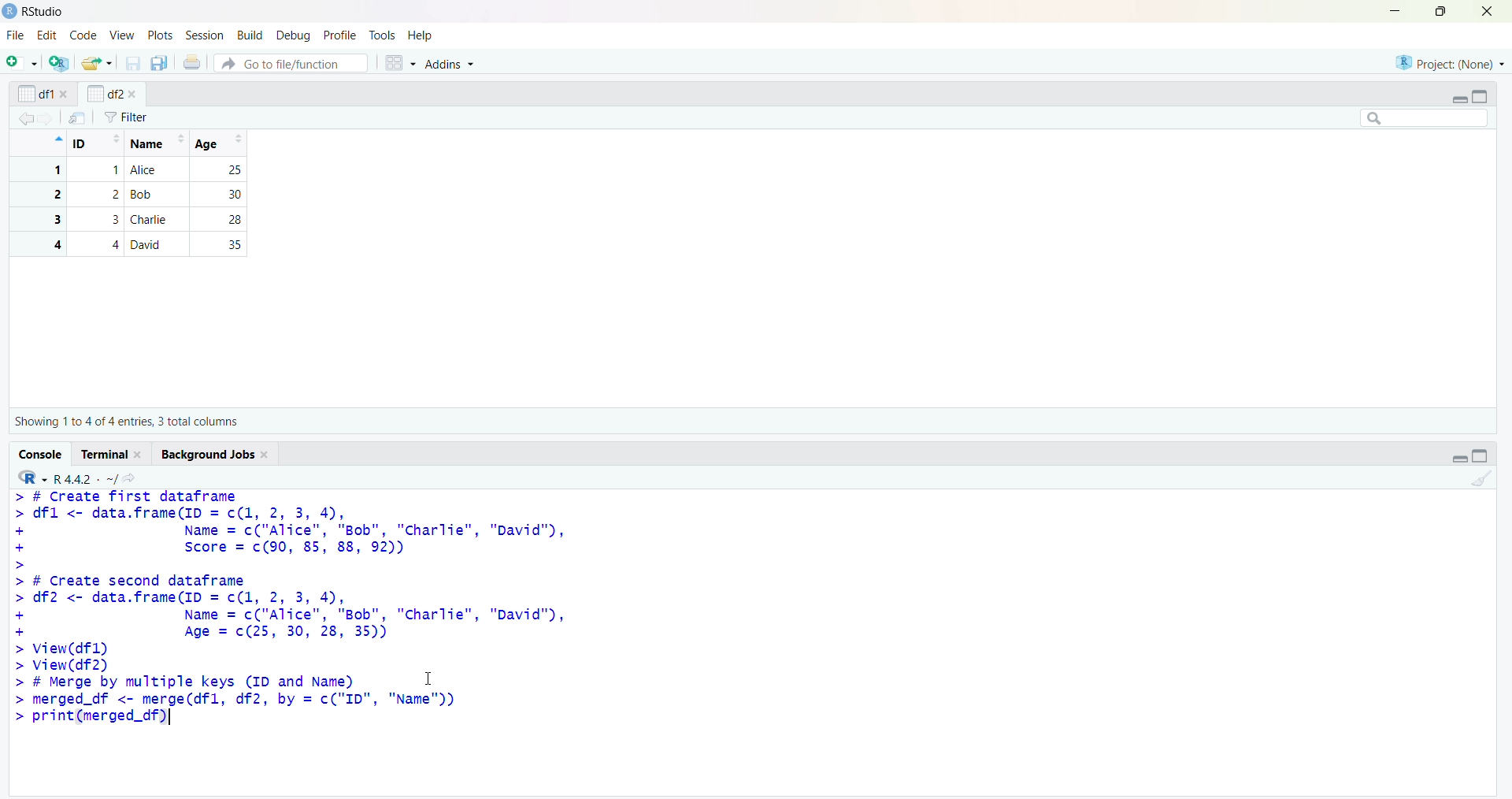 The height and width of the screenshot is (799, 1512). What do you see at coordinates (106, 454) in the screenshot?
I see `Terminal` at bounding box center [106, 454].